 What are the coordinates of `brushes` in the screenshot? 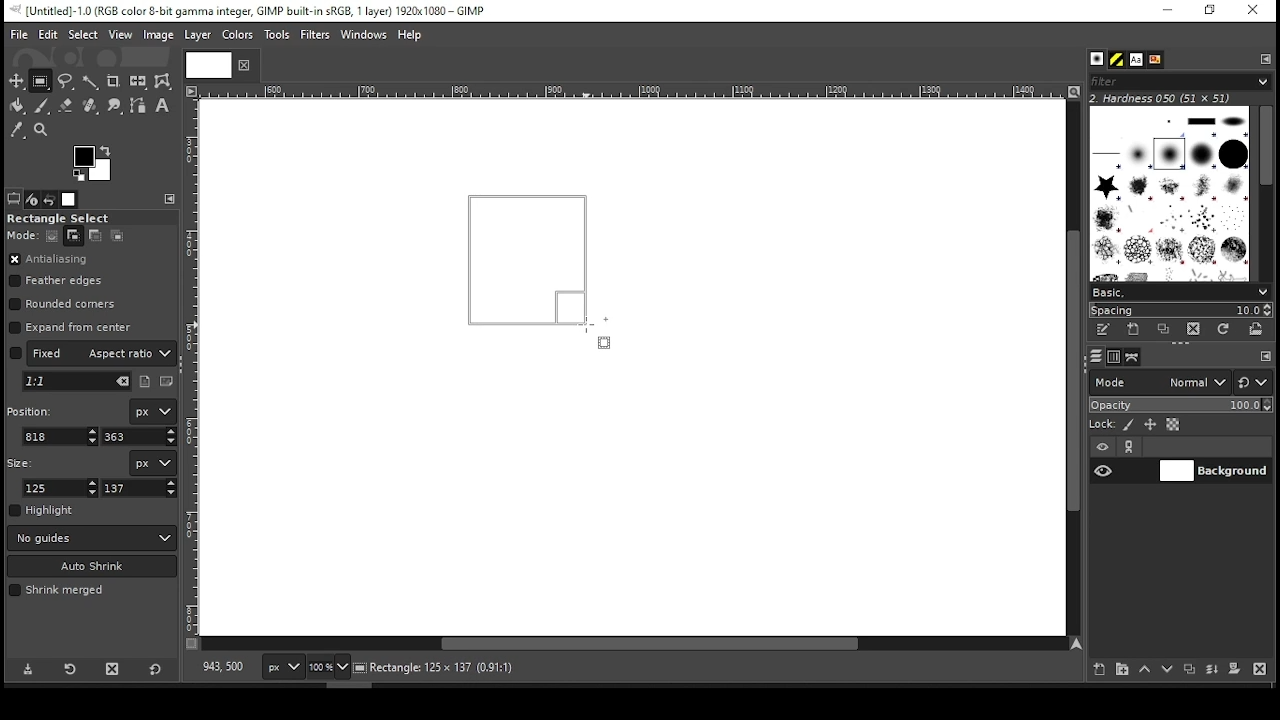 It's located at (1169, 193).